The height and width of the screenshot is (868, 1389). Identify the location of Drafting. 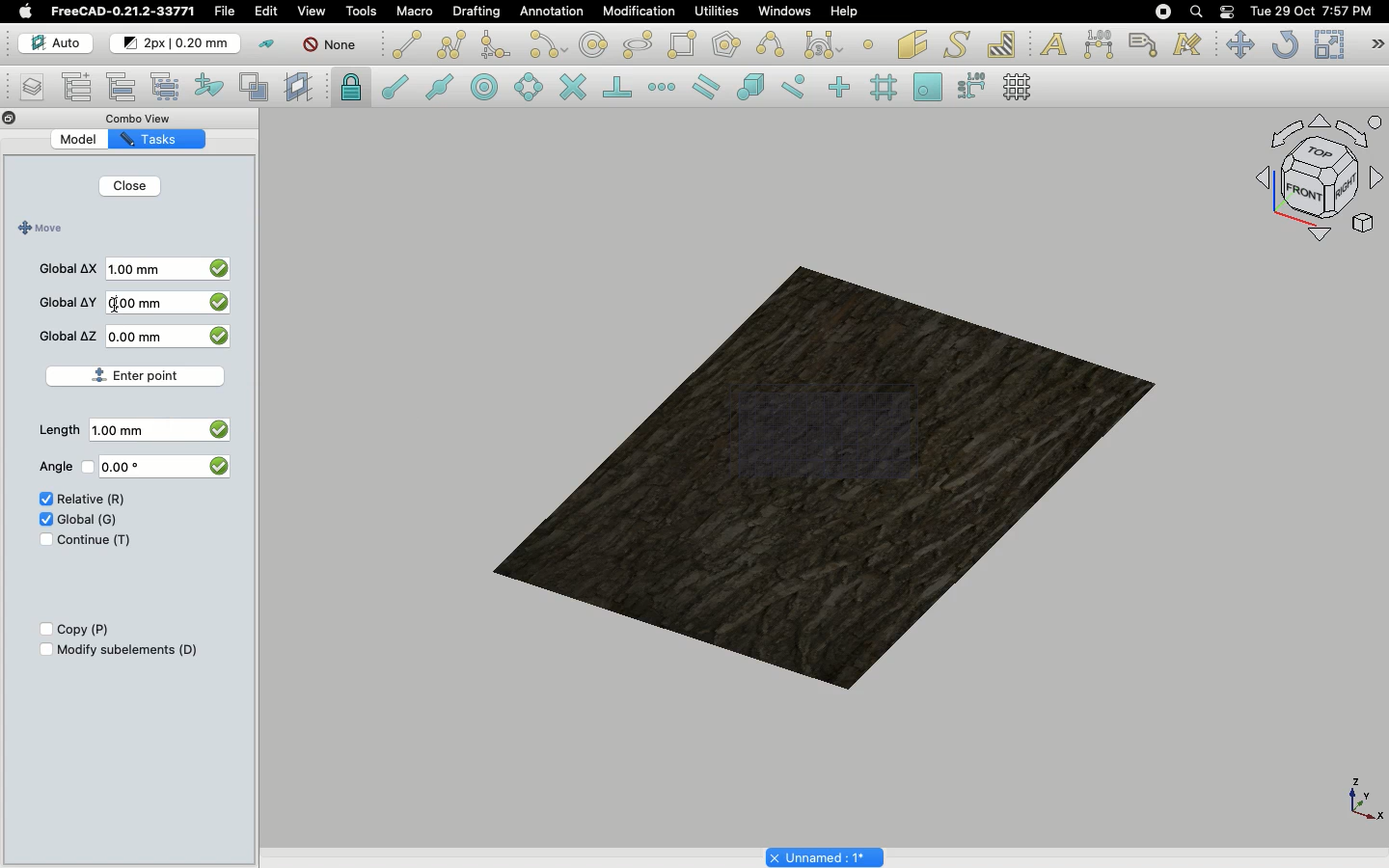
(478, 11).